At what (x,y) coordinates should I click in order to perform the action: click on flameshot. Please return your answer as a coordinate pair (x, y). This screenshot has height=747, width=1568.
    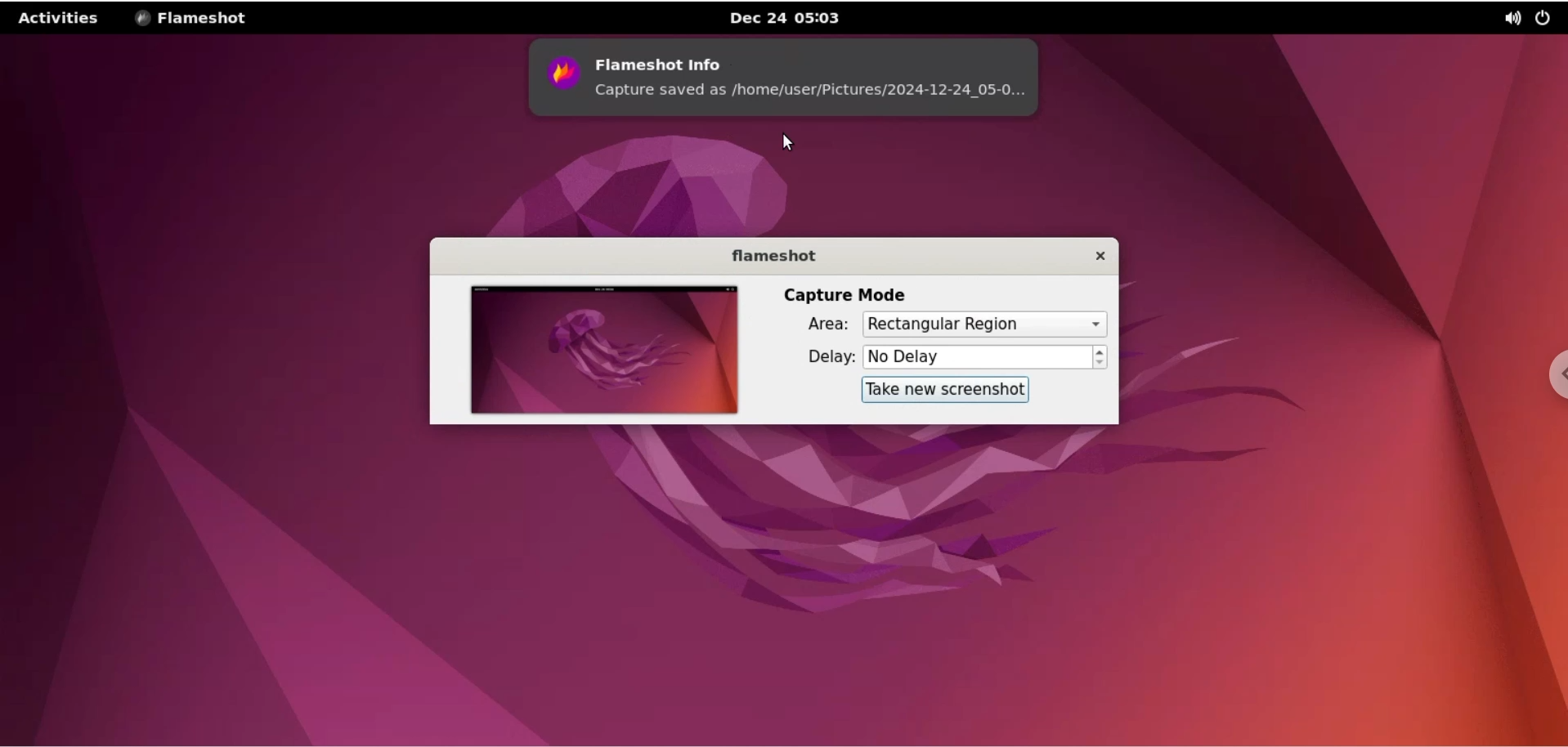
    Looking at the image, I should click on (772, 259).